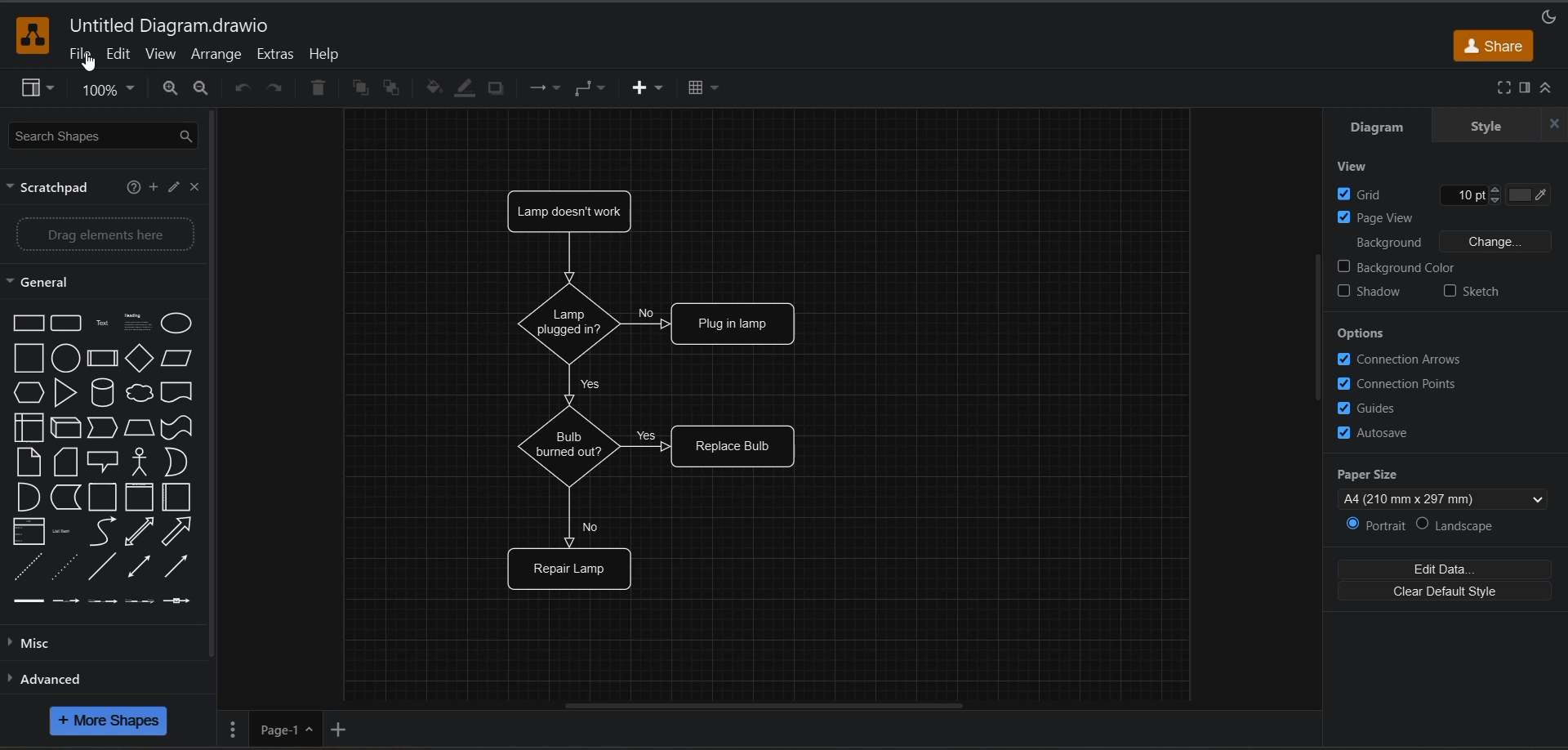  Describe the element at coordinates (1487, 124) in the screenshot. I see `style` at that location.